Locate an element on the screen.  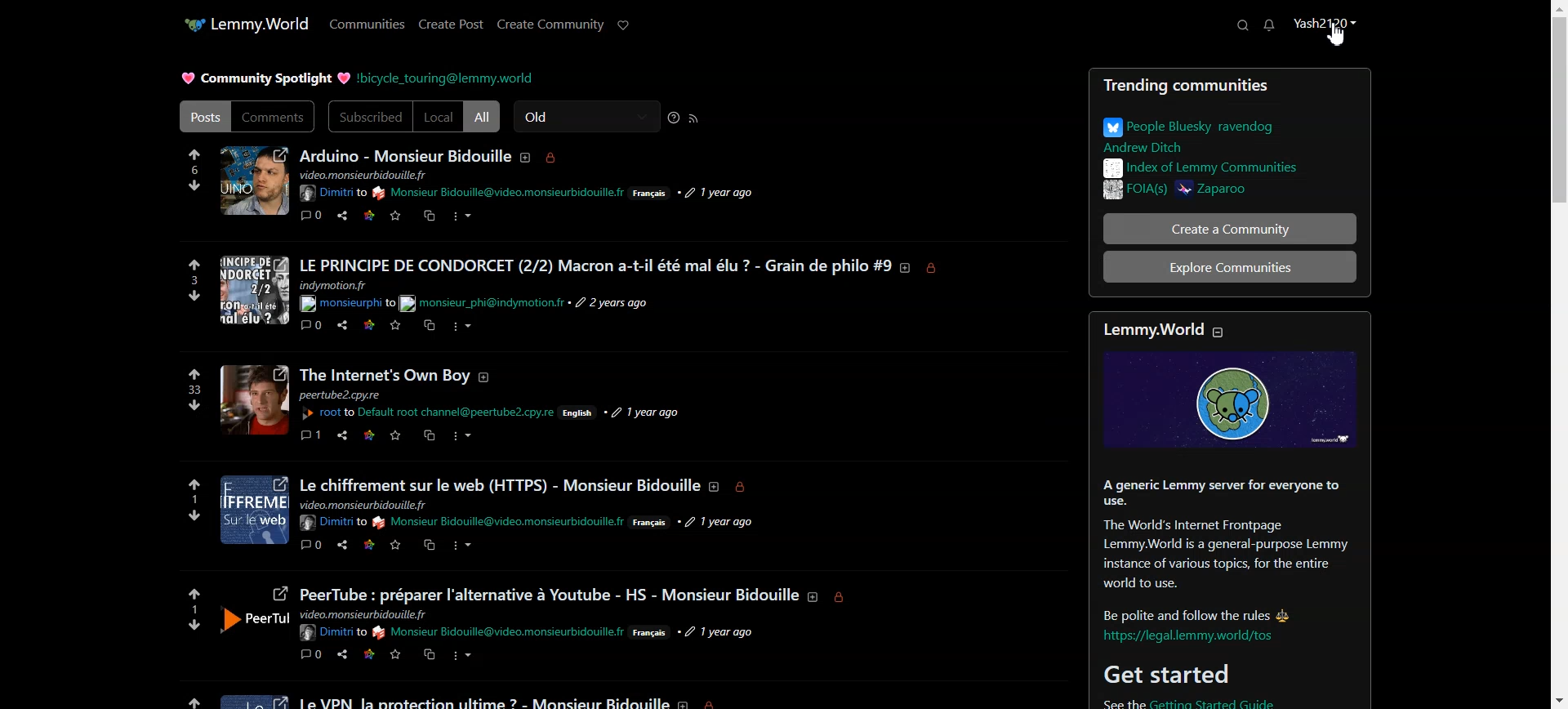
more is located at coordinates (465, 547).